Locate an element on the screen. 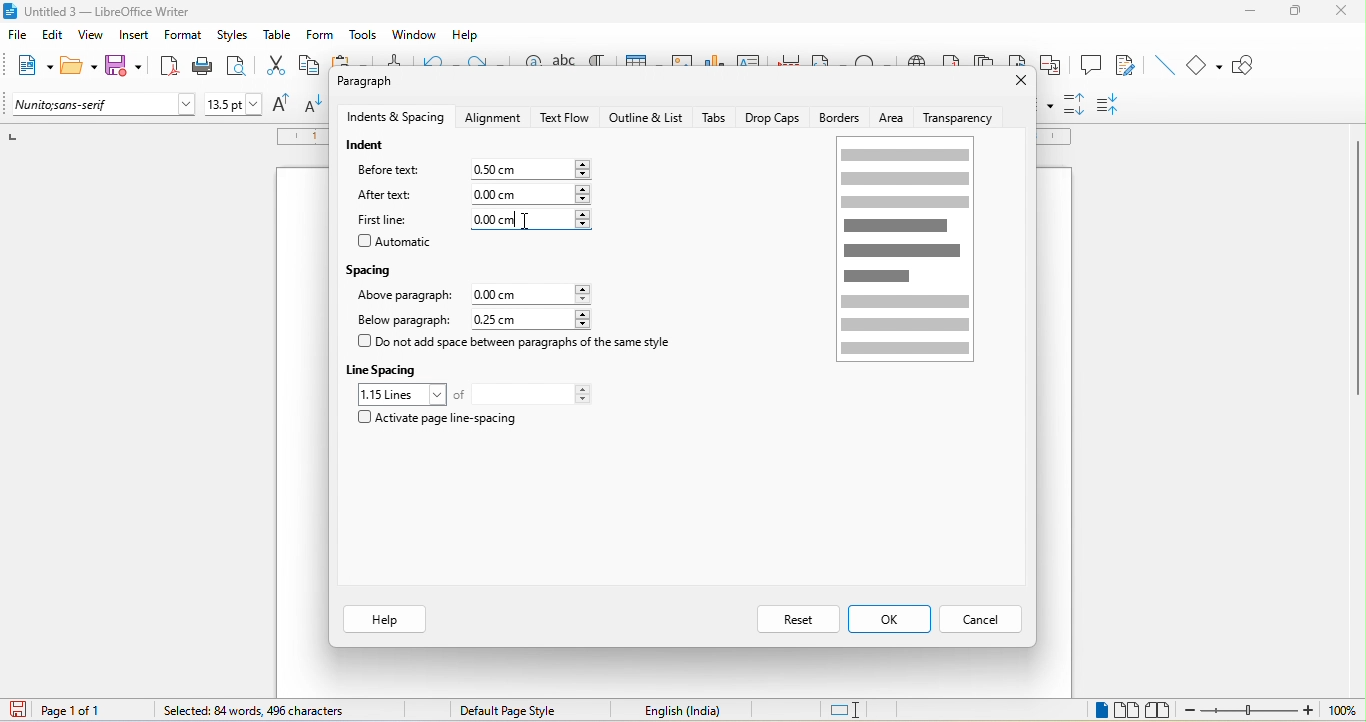  print preview is located at coordinates (241, 66).